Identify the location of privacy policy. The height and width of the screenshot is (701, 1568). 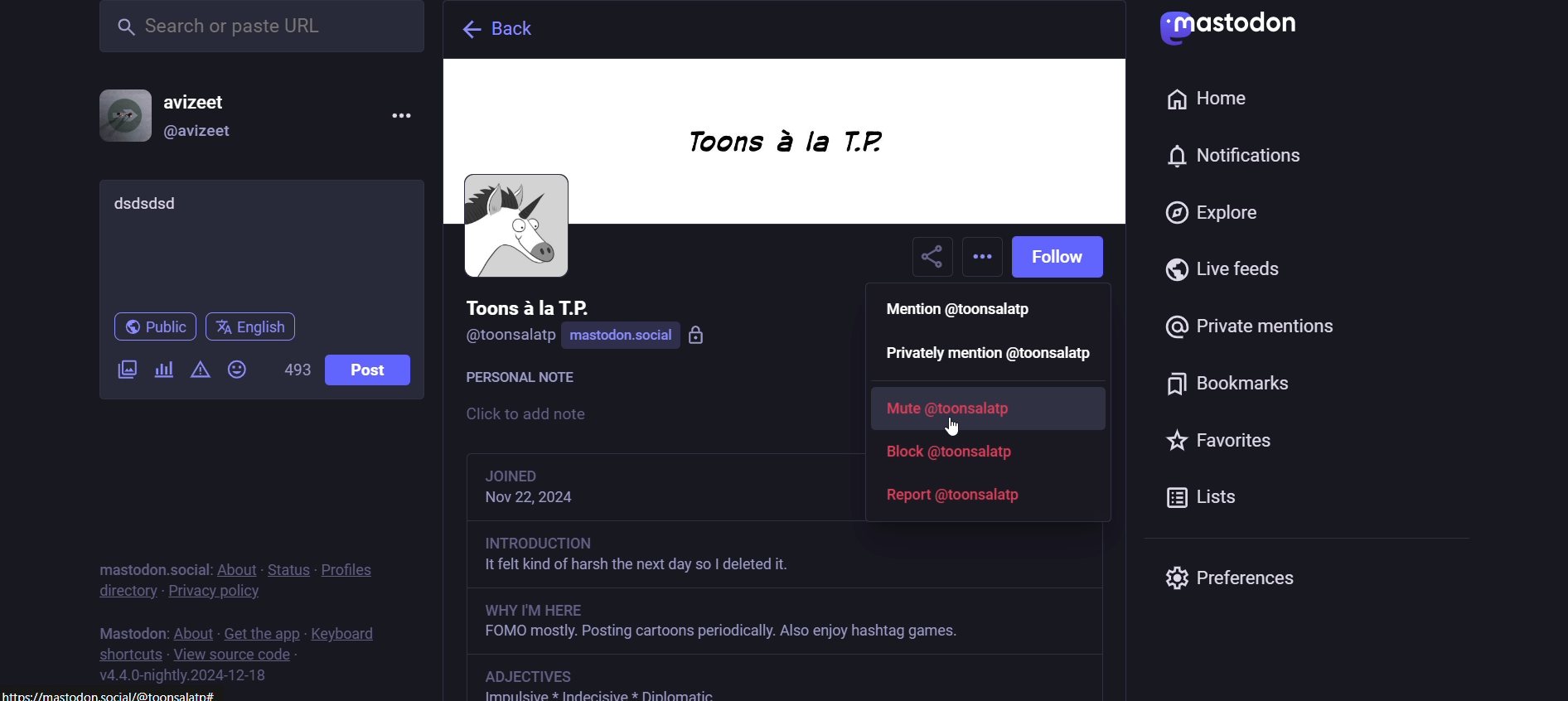
(228, 592).